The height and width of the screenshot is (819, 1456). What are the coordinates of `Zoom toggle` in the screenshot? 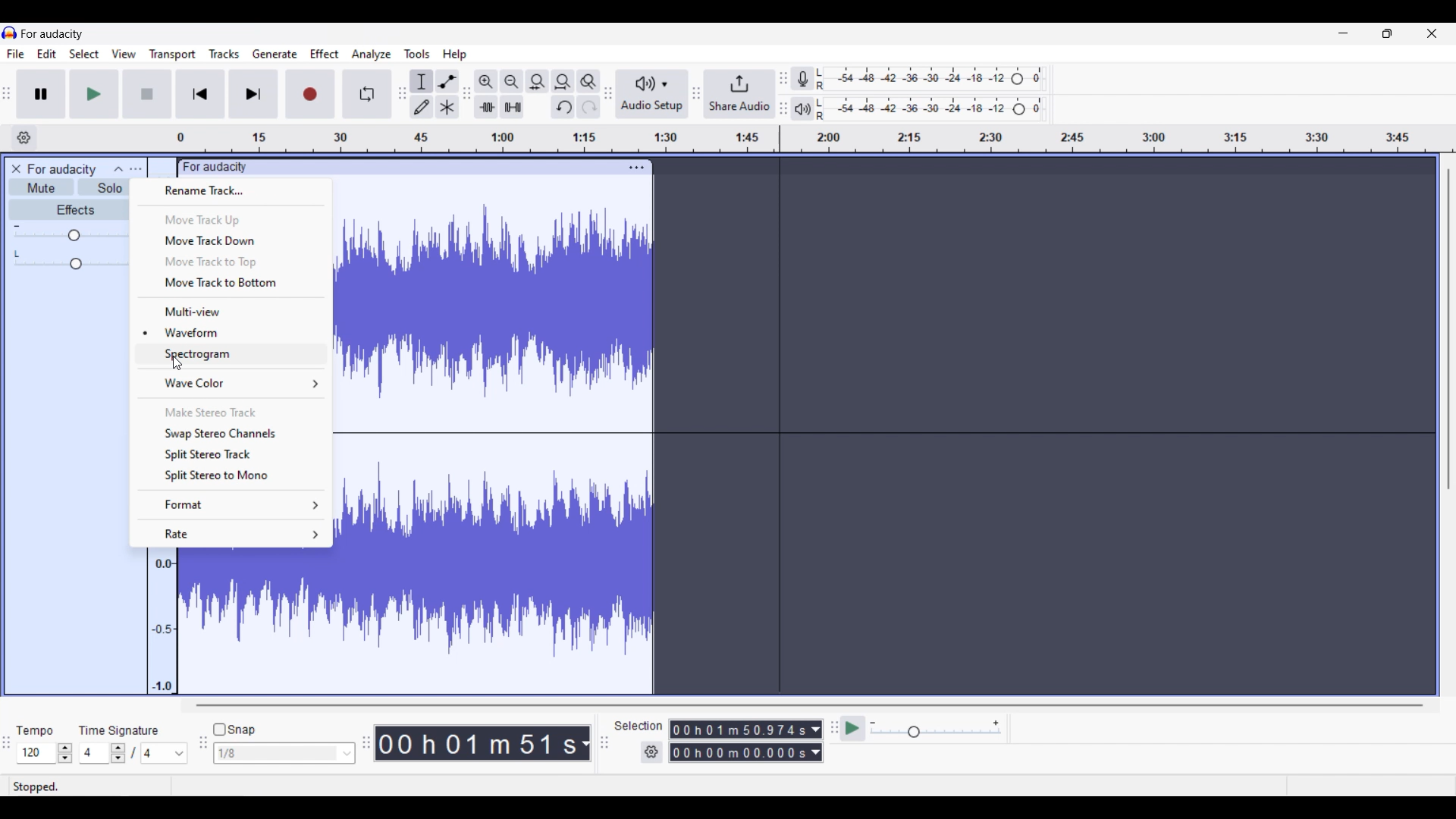 It's located at (588, 82).